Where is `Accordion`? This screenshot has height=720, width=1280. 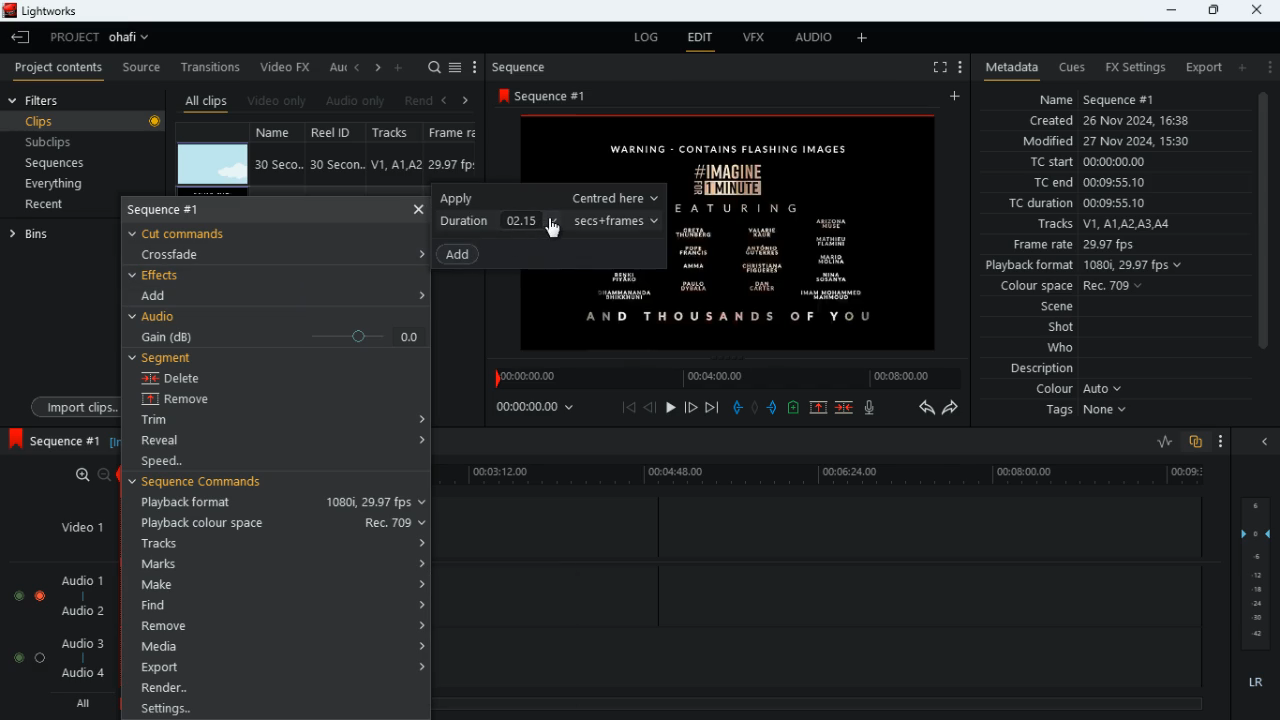 Accordion is located at coordinates (418, 253).